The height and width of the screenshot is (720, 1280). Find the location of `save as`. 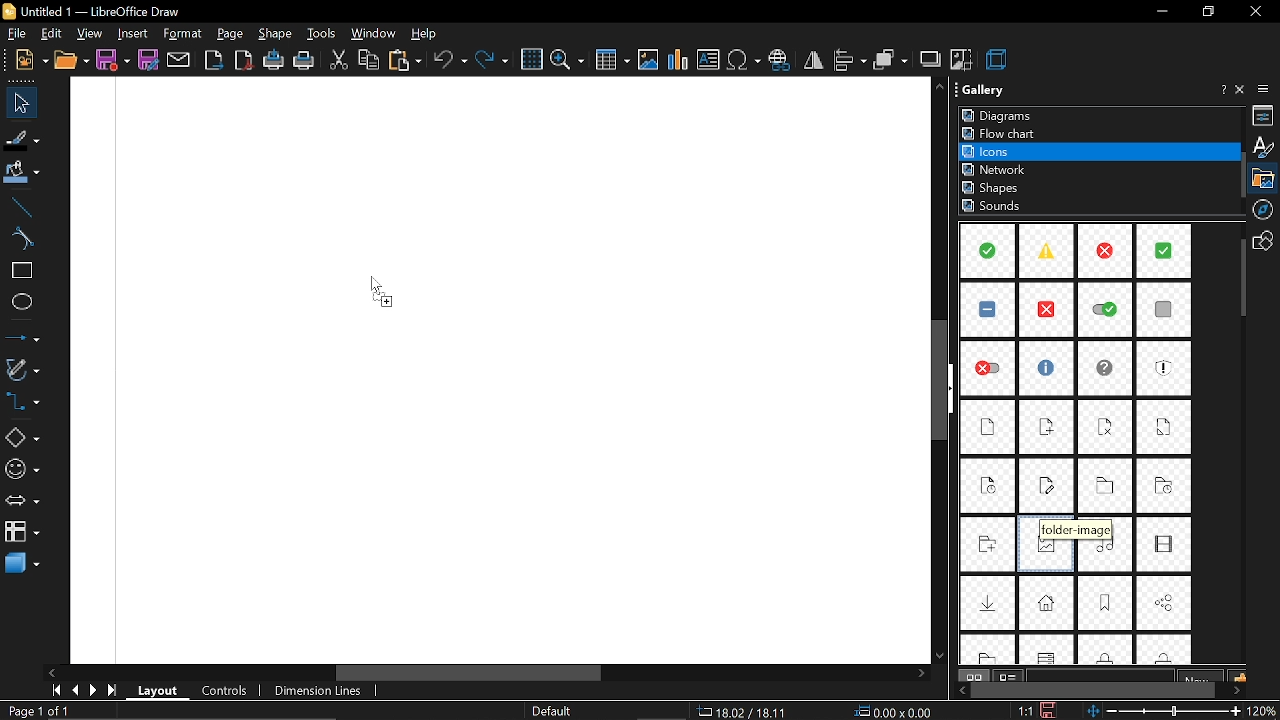

save as is located at coordinates (150, 60).